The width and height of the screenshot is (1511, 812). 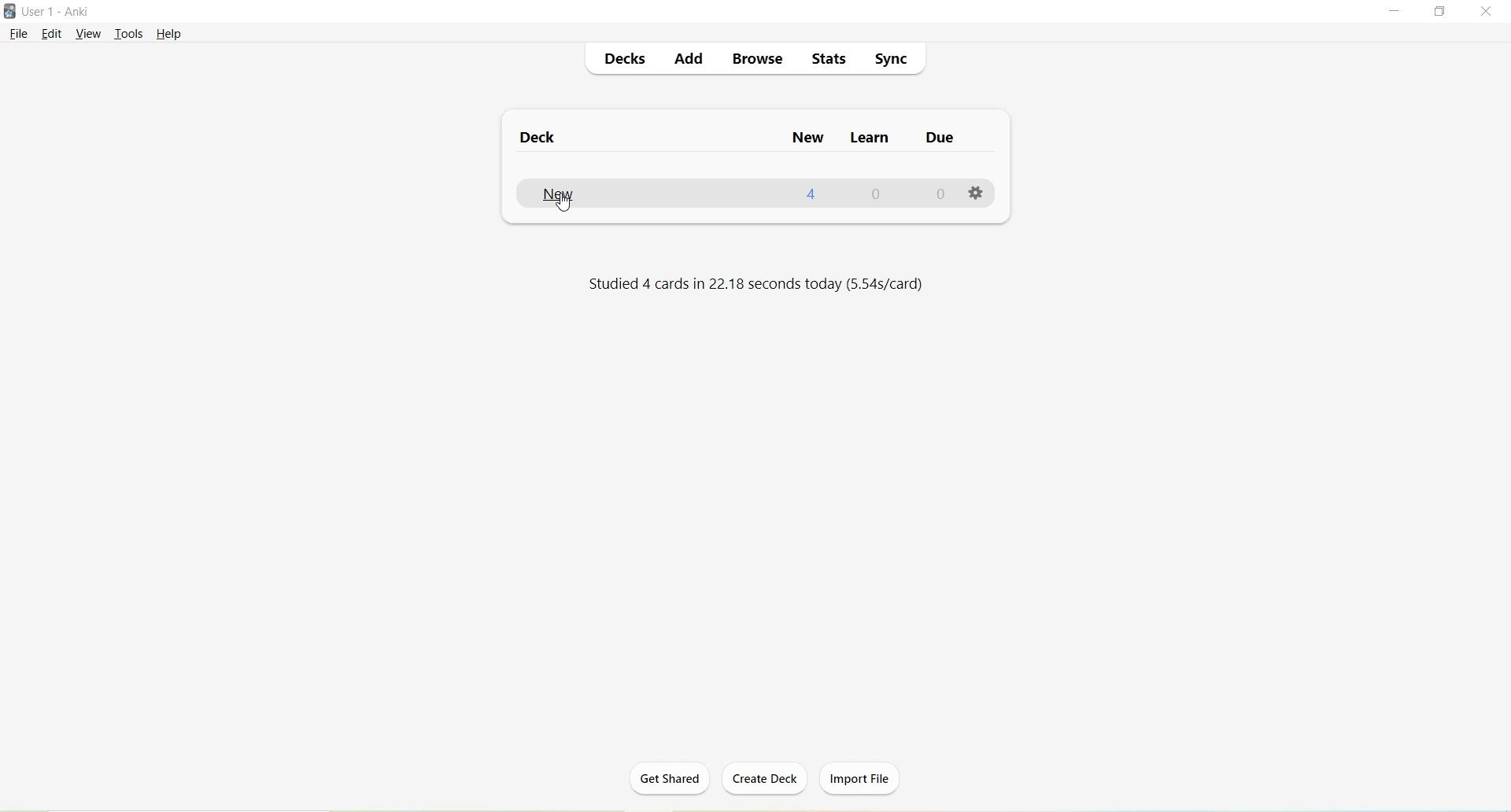 What do you see at coordinates (877, 194) in the screenshot?
I see `0` at bounding box center [877, 194].